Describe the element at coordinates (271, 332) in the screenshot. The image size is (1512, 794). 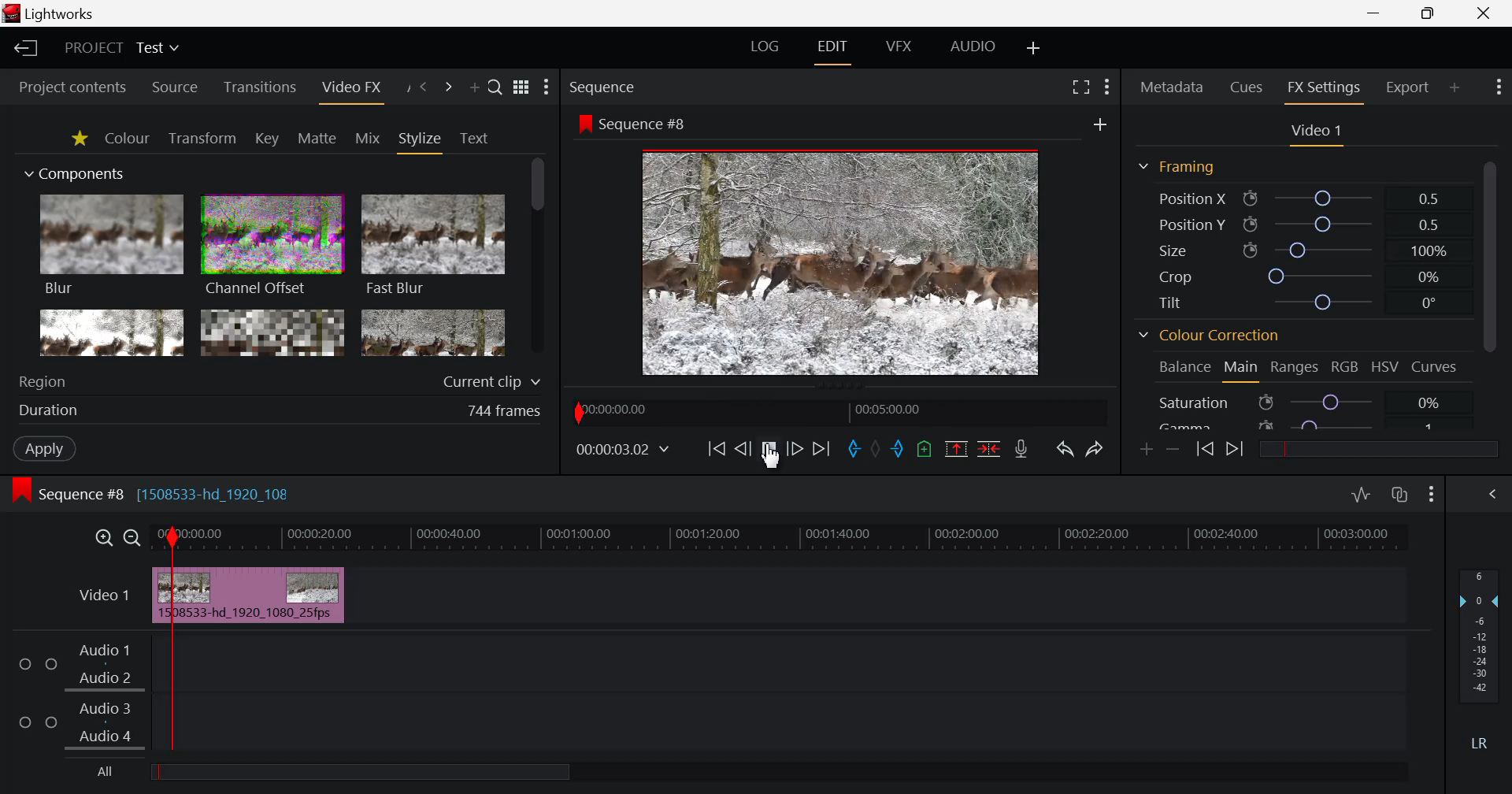
I see `Mosaic` at that location.